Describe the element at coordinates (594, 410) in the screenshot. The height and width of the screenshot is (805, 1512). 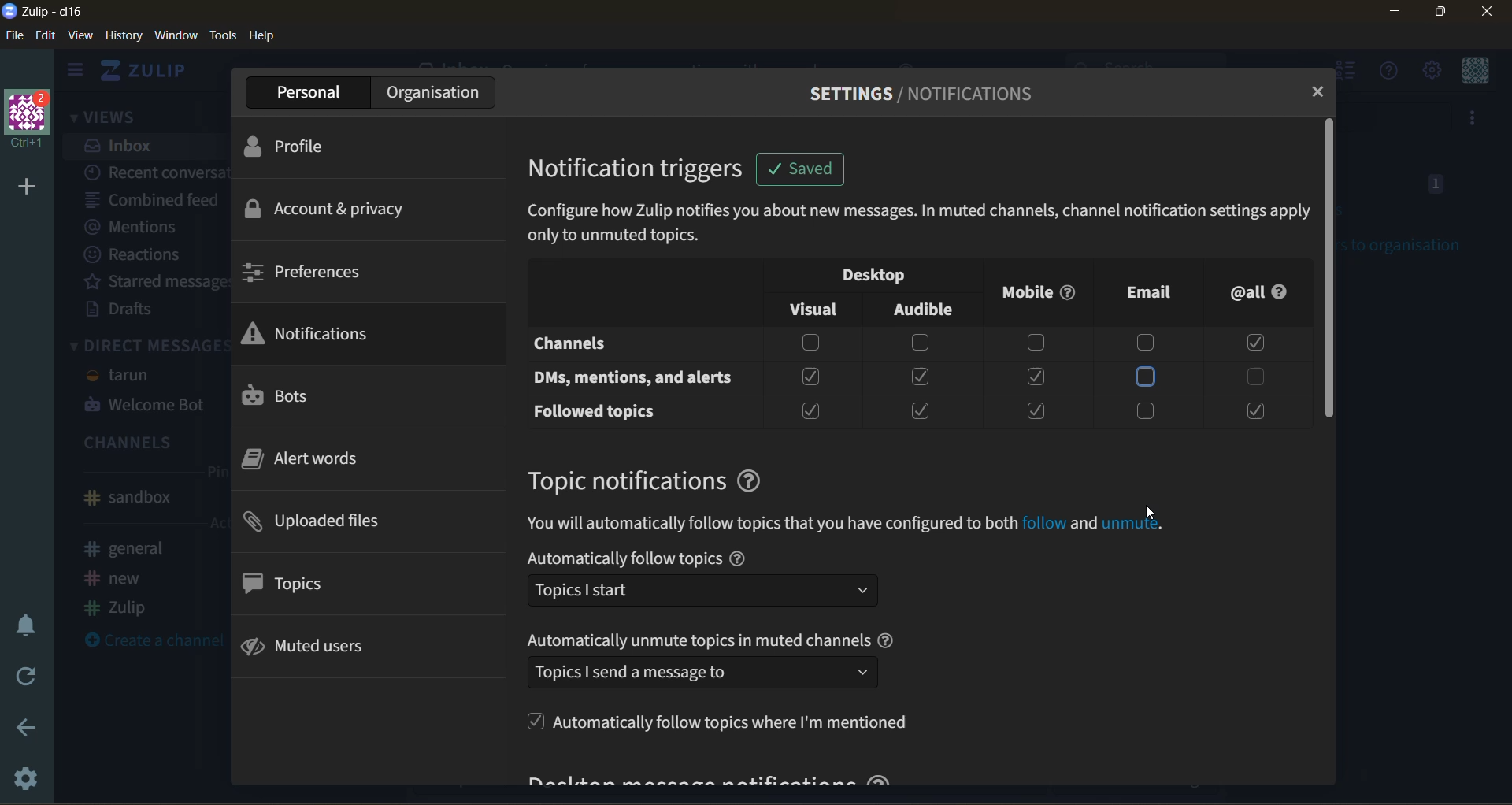
I see `followed topics` at that location.